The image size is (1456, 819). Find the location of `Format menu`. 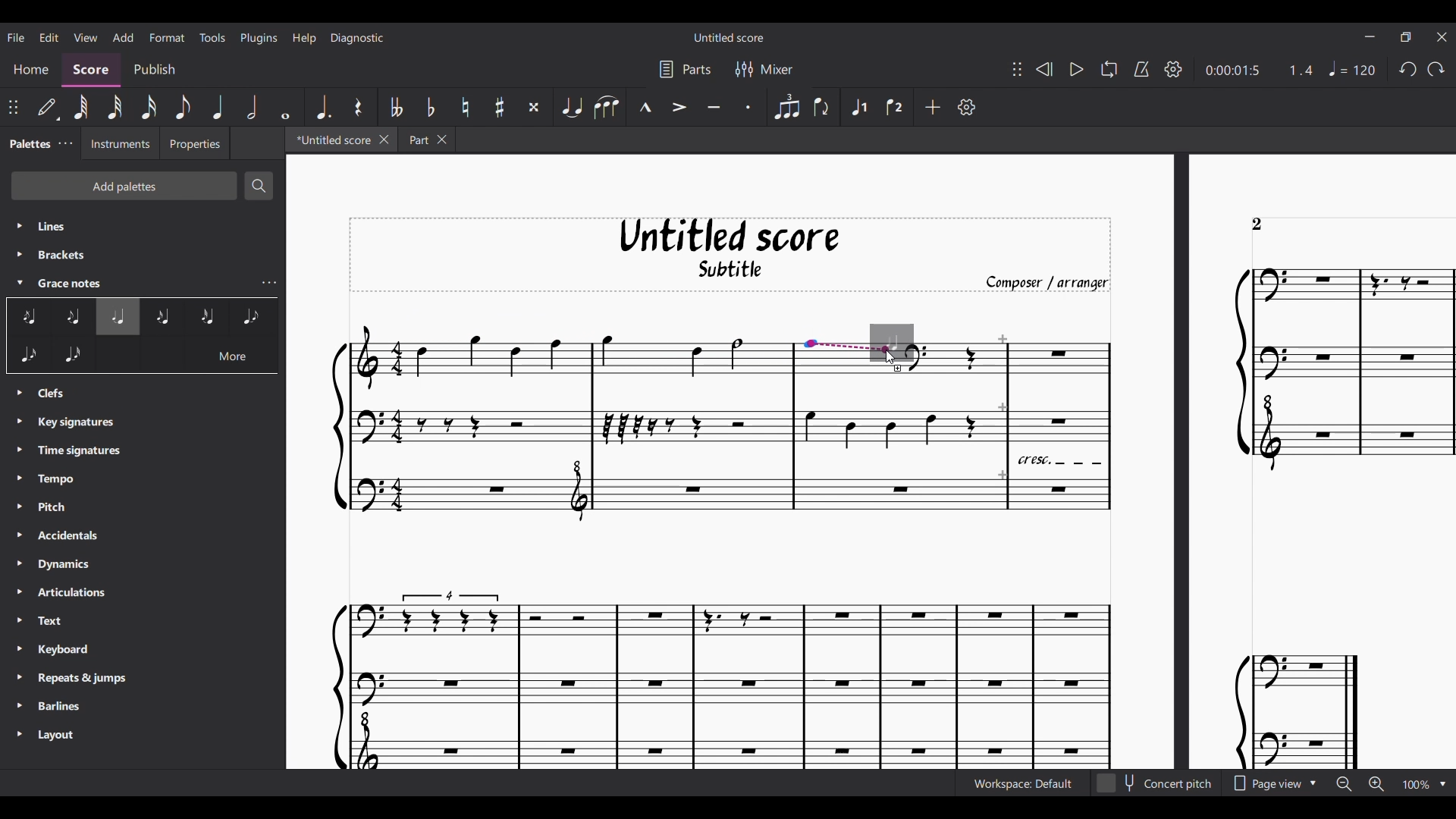

Format menu is located at coordinates (167, 37).